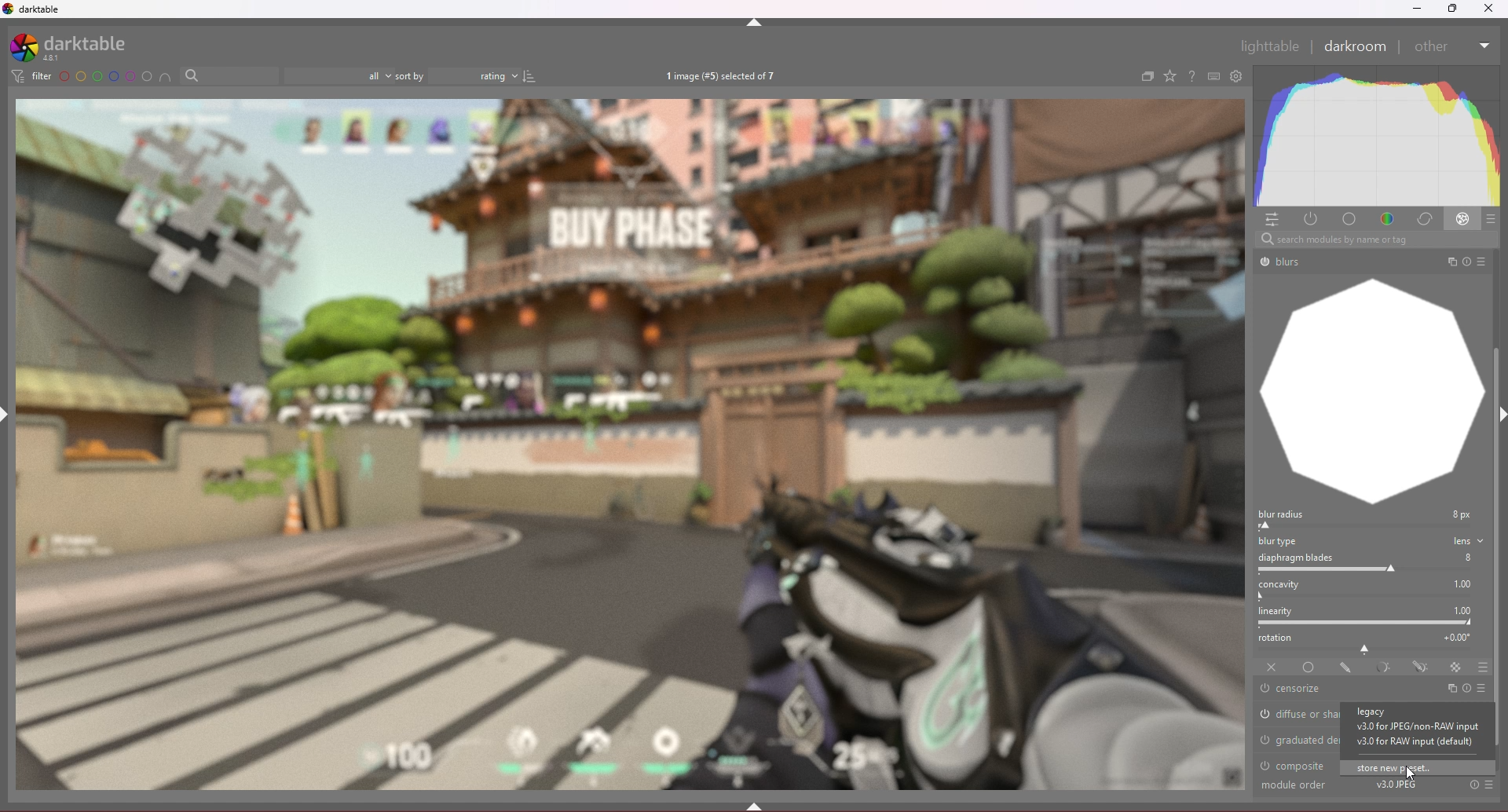 Image resolution: width=1508 pixels, height=812 pixels. Describe the element at coordinates (1393, 712) in the screenshot. I see `legacy` at that location.